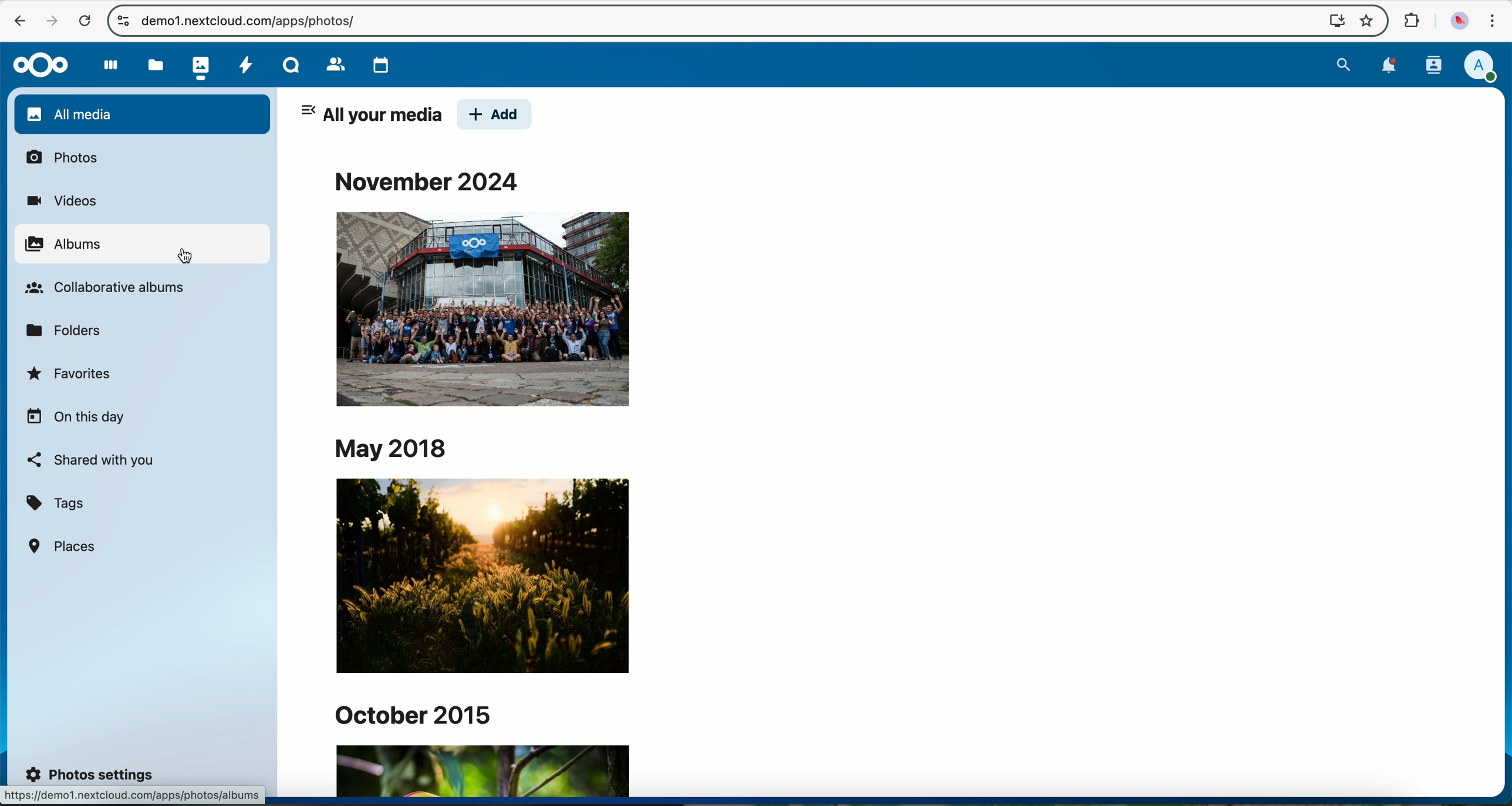  What do you see at coordinates (76, 418) in the screenshot?
I see `on this day` at bounding box center [76, 418].